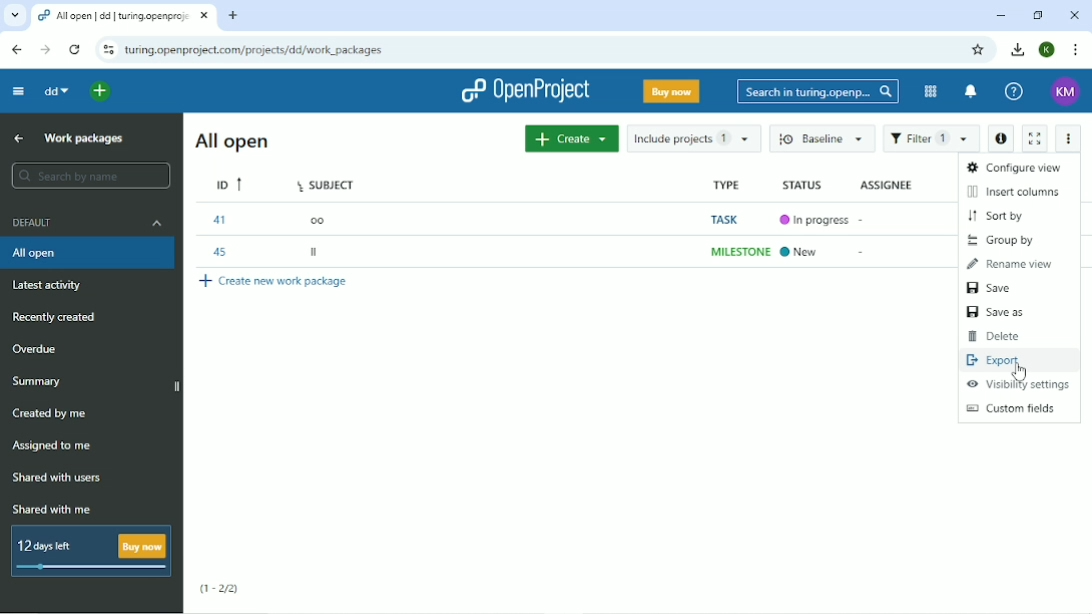  Describe the element at coordinates (35, 349) in the screenshot. I see `Overdue` at that location.